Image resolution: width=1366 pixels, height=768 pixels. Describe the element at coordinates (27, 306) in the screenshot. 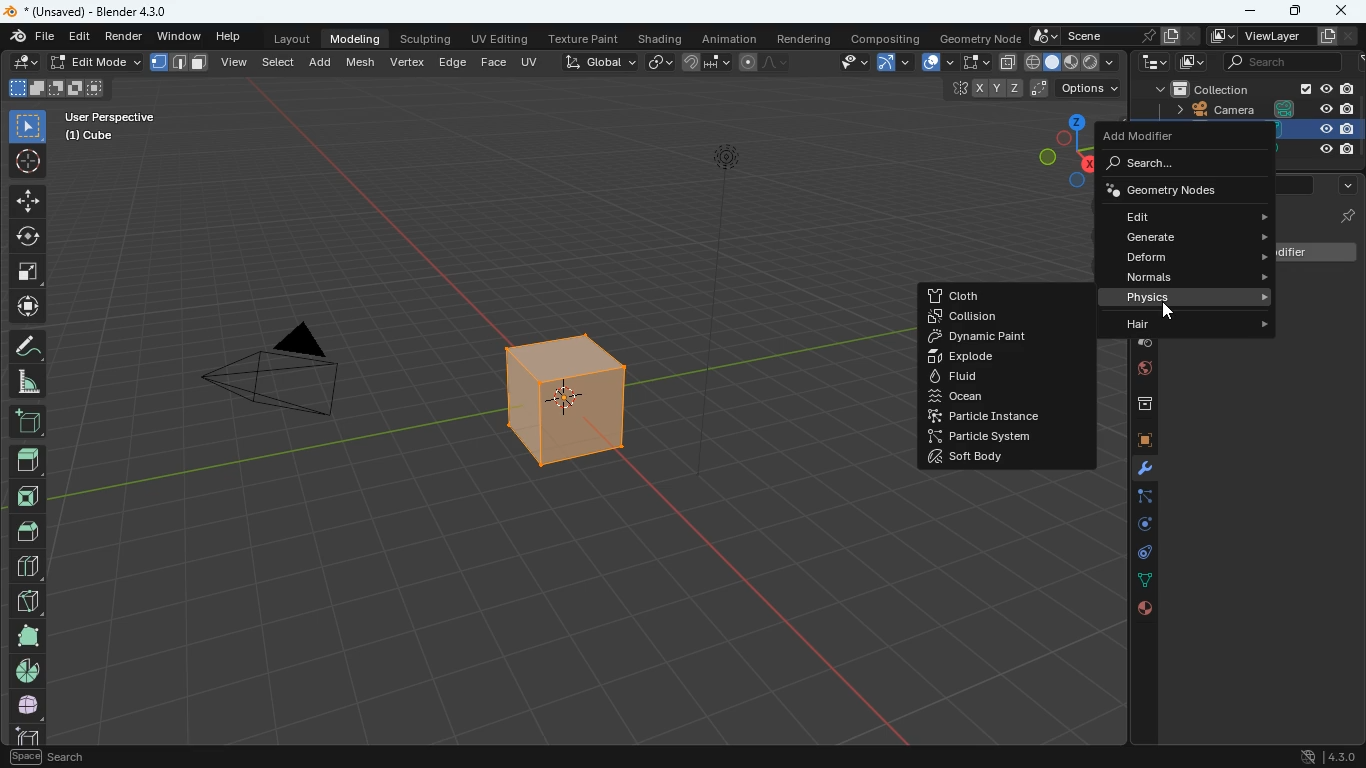

I see `move` at that location.